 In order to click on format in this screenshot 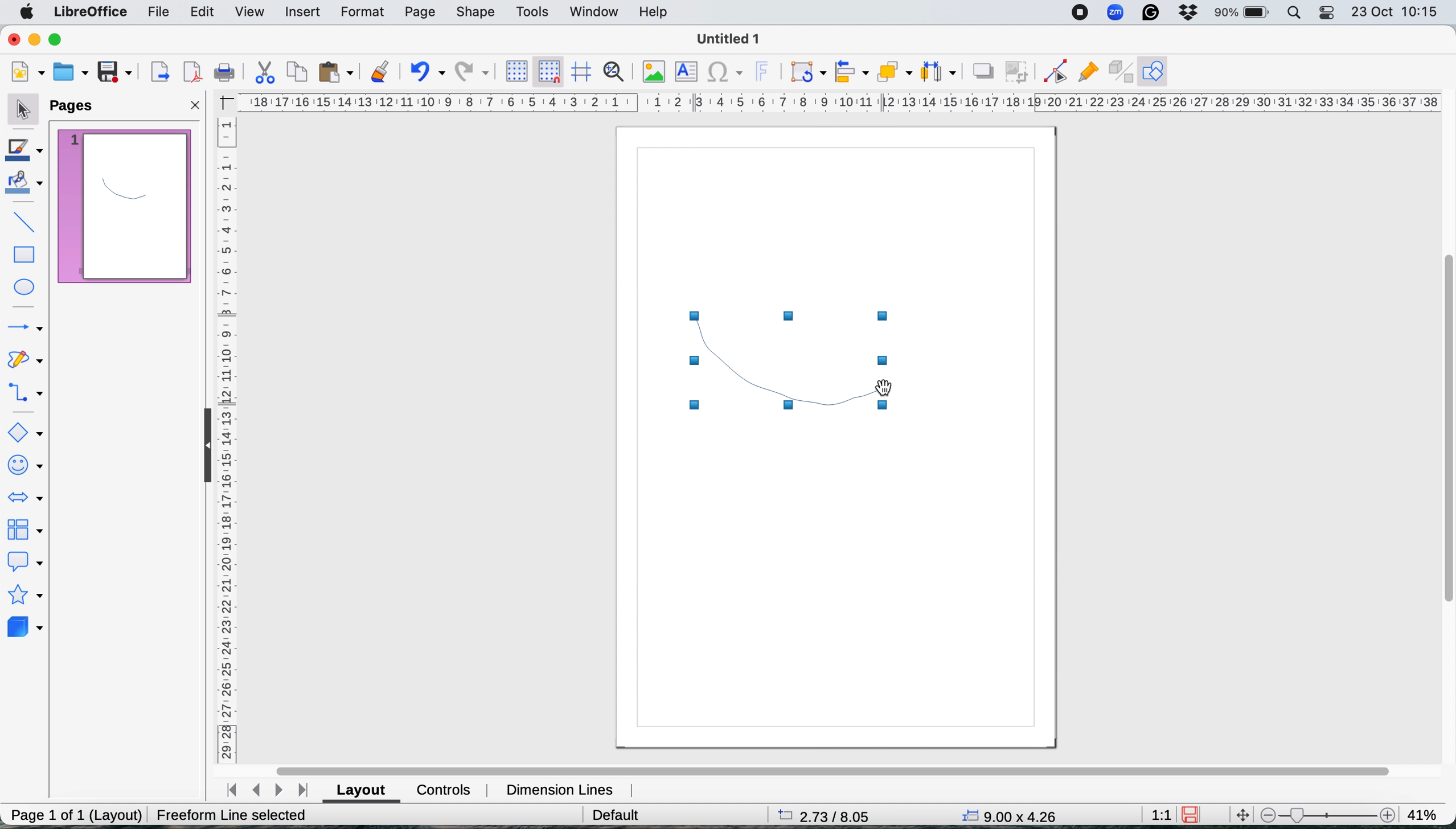, I will do `click(363, 12)`.